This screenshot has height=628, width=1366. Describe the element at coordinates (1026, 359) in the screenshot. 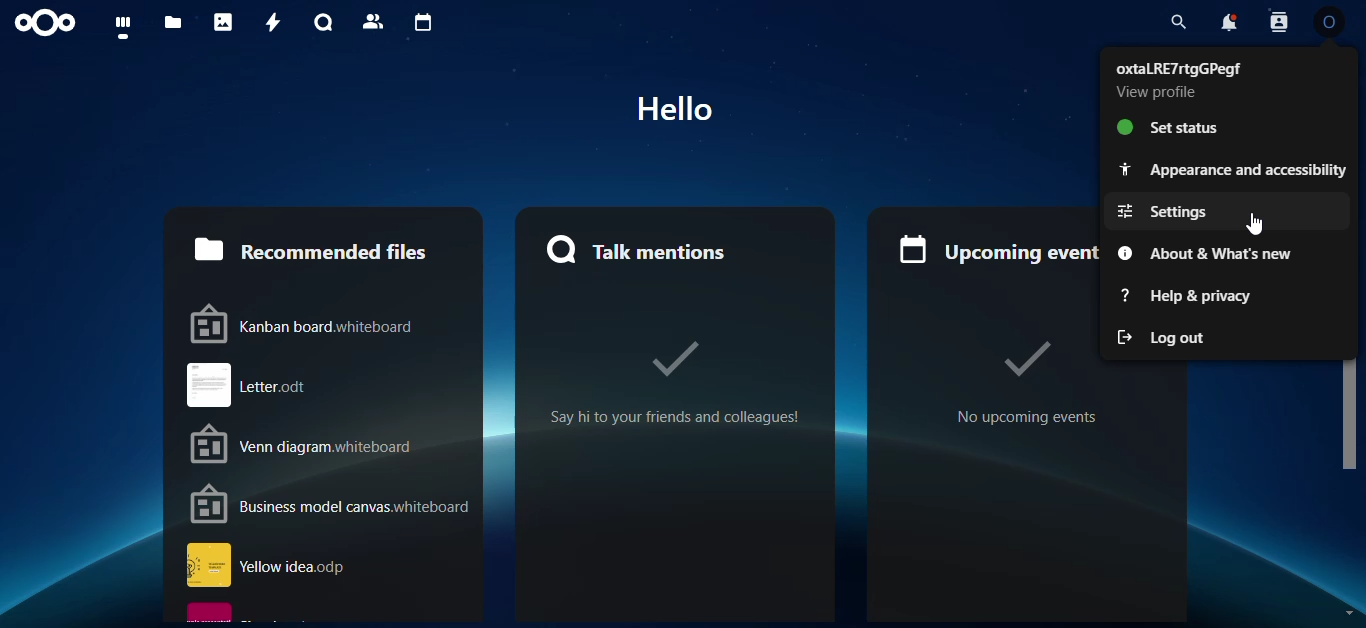

I see `Tick mark` at that location.